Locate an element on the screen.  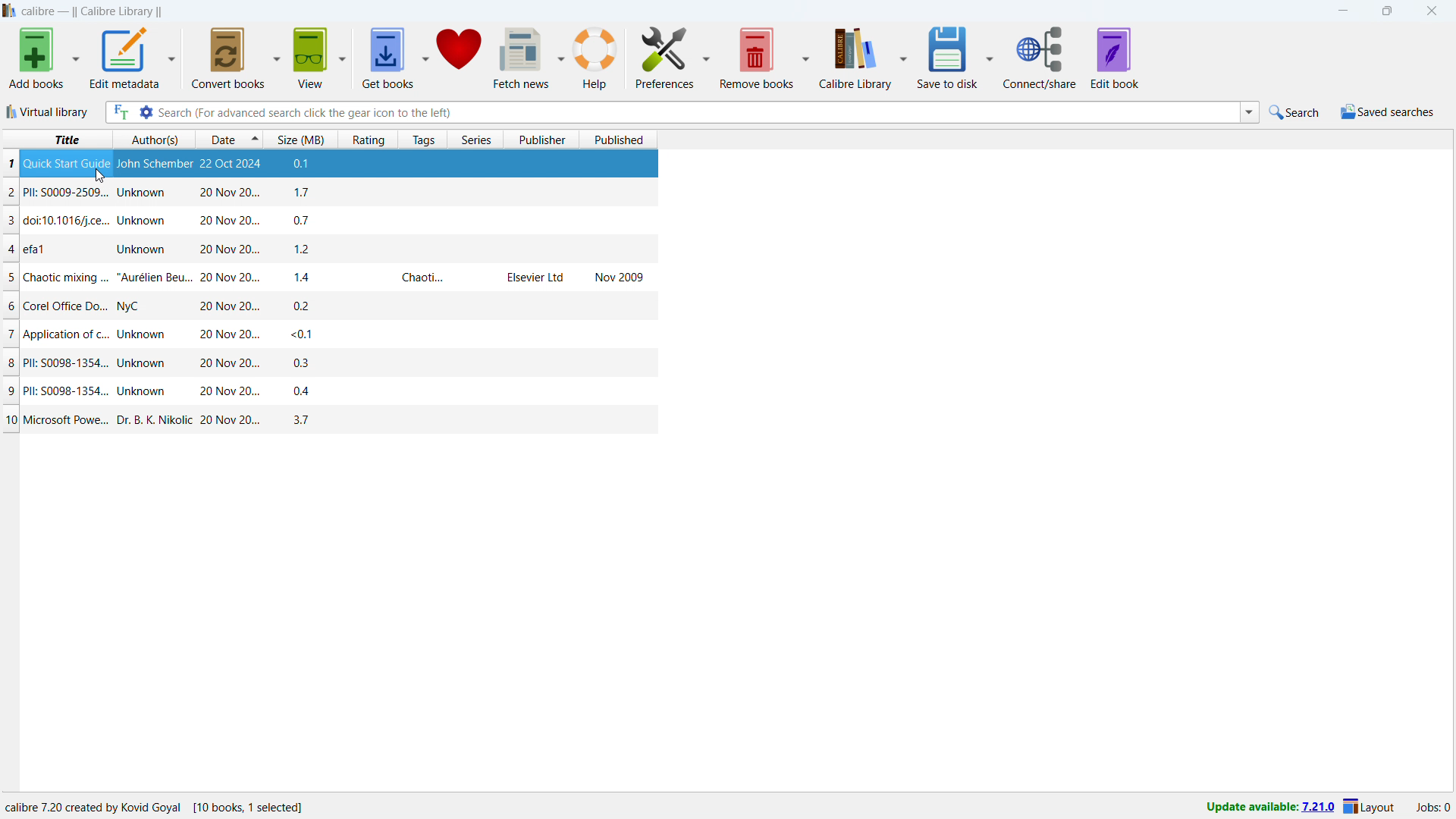
saved search menu is located at coordinates (1385, 111).